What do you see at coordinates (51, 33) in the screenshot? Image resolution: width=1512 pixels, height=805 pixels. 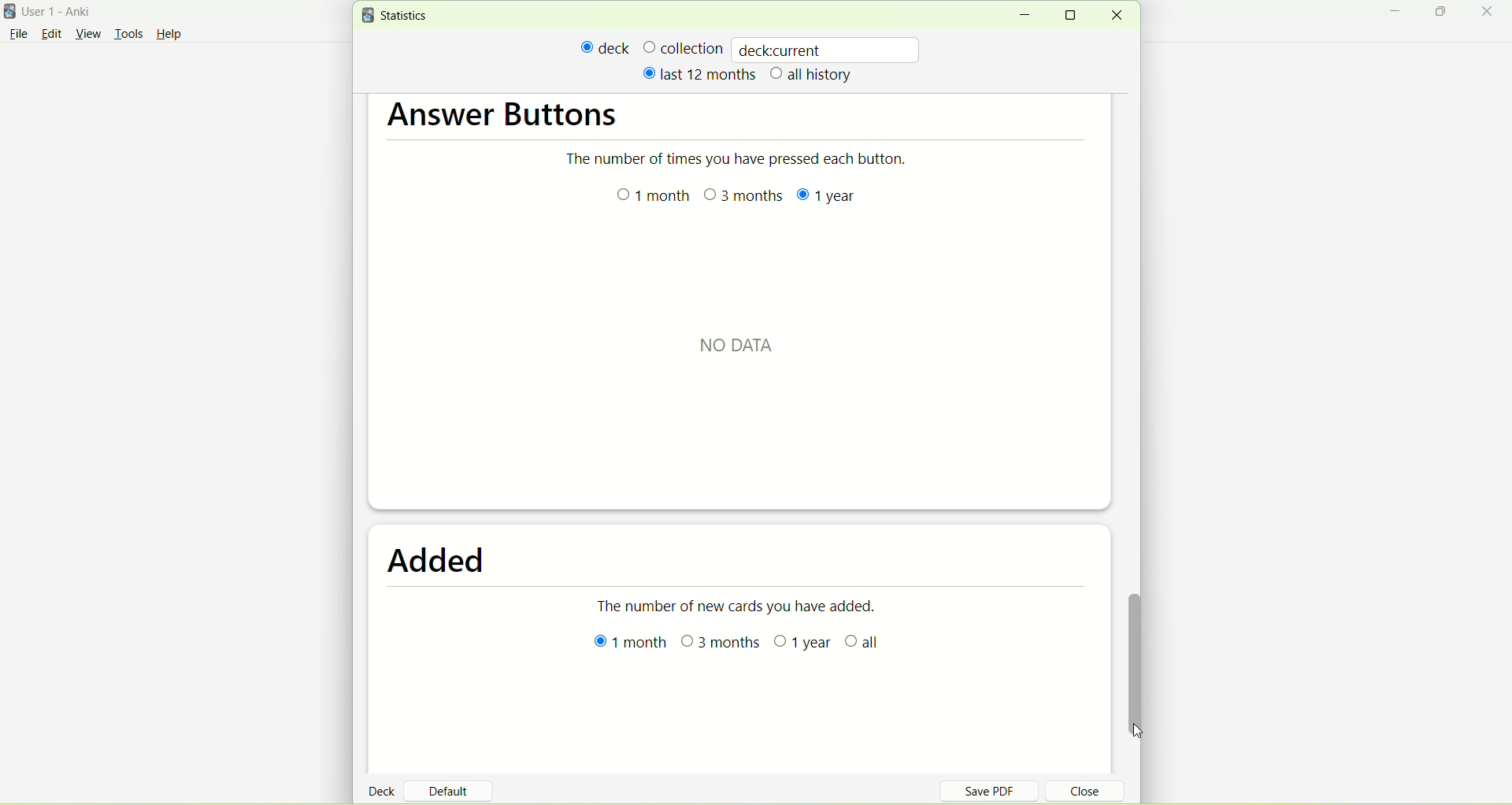 I see `edit` at bounding box center [51, 33].